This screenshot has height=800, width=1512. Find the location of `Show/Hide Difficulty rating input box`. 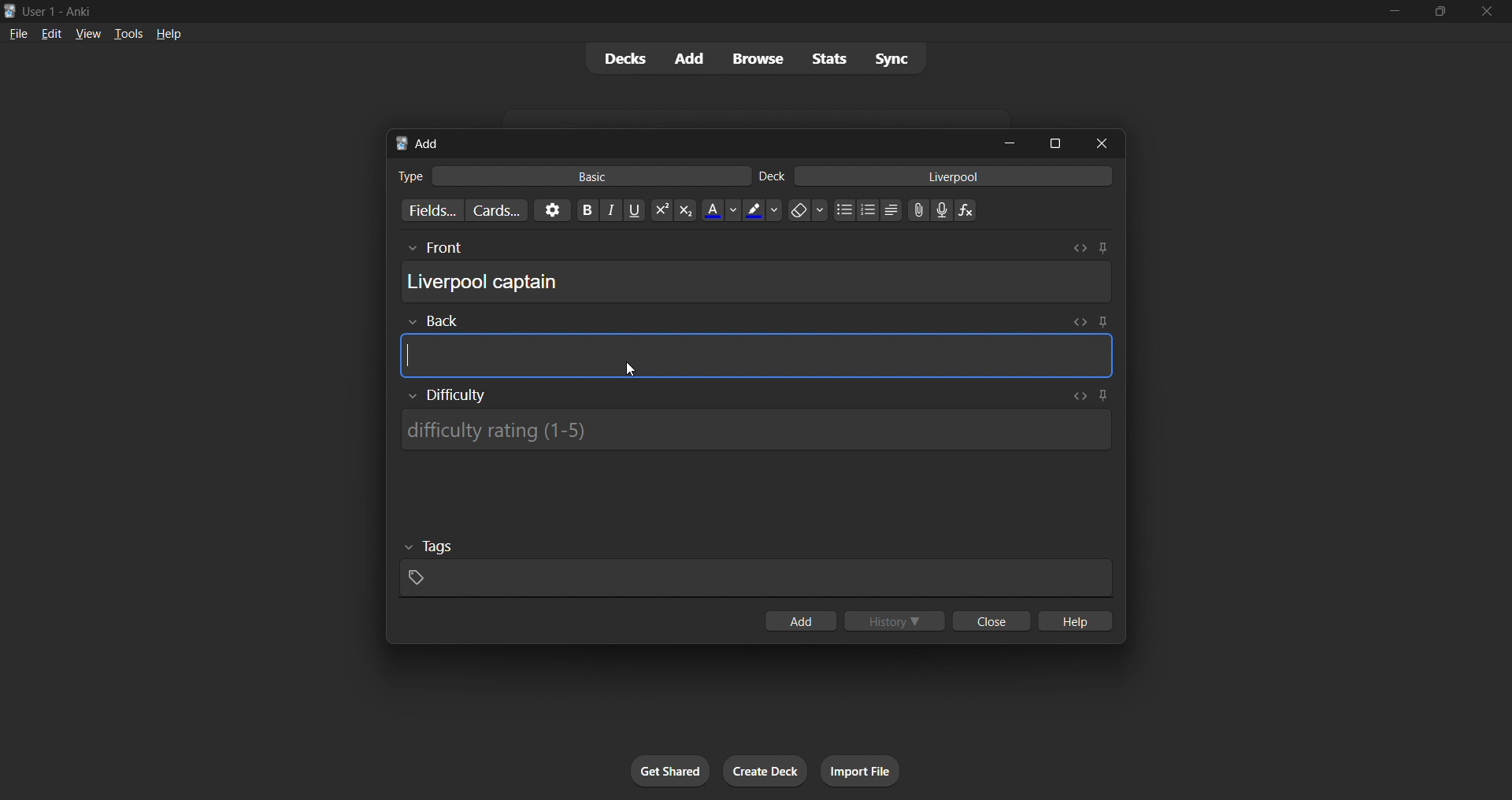

Show/Hide Difficulty rating input box is located at coordinates (447, 395).